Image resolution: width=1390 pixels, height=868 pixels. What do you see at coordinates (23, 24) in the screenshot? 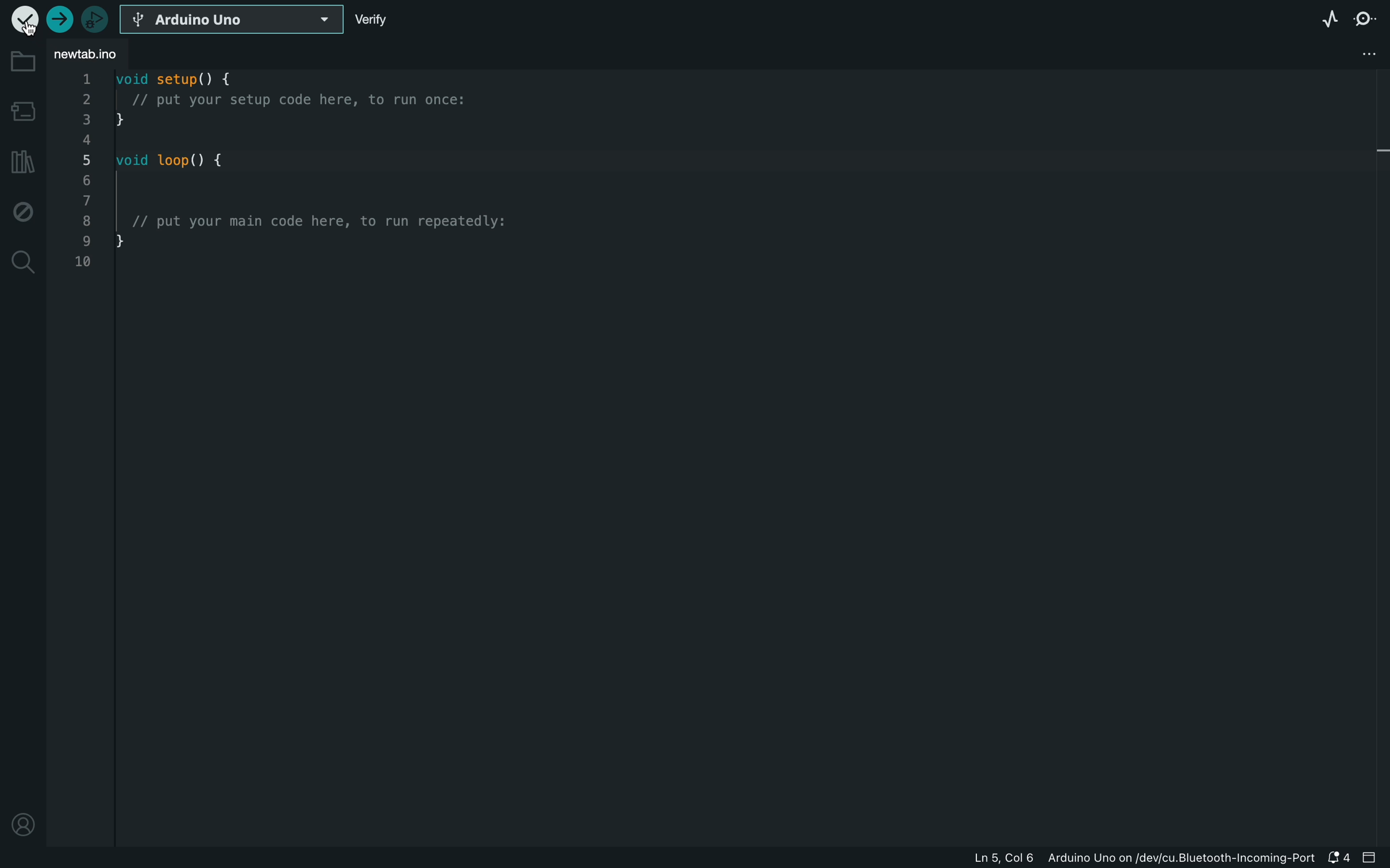
I see `cursor` at bounding box center [23, 24].